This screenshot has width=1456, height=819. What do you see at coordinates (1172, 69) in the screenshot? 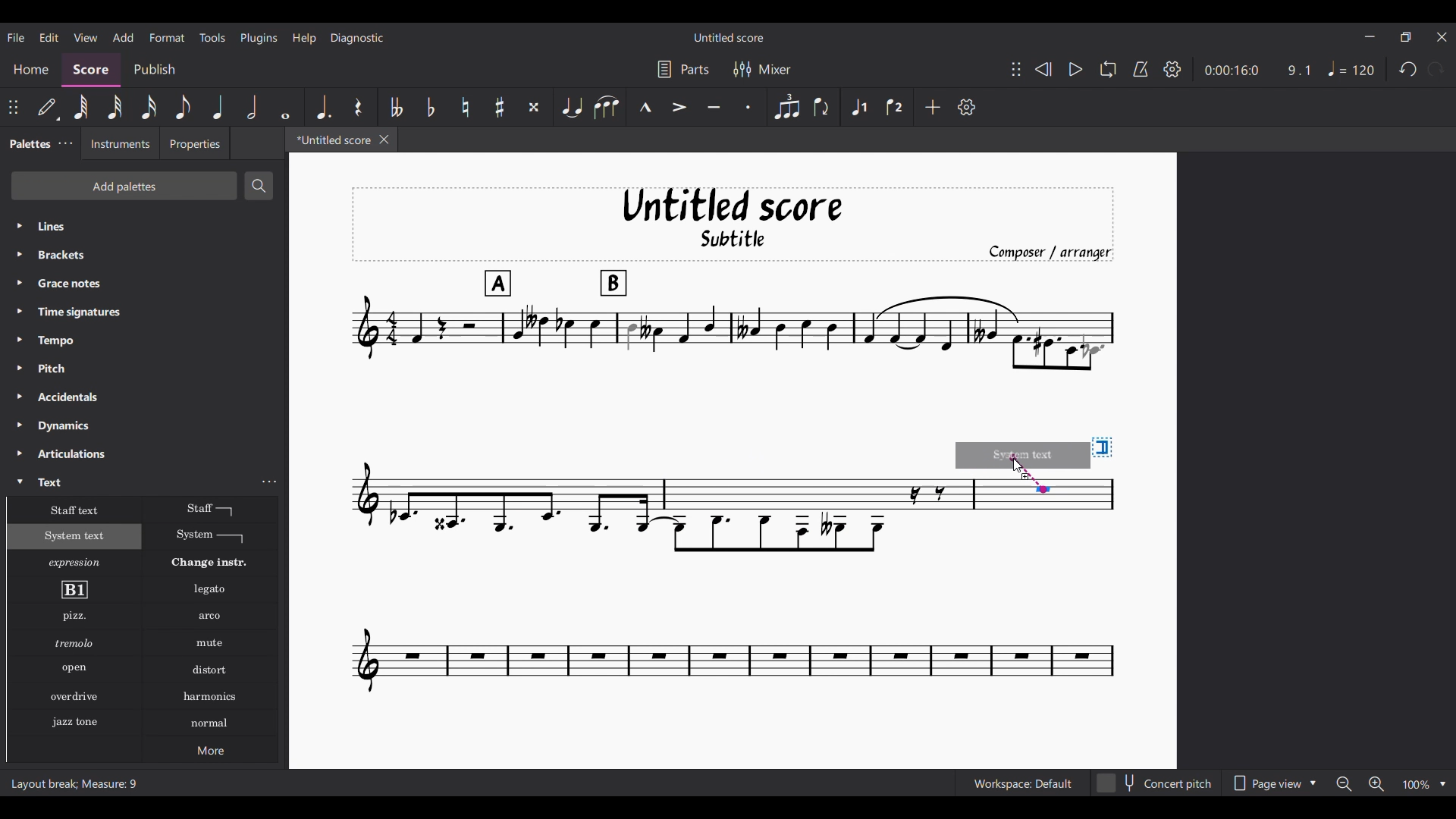
I see `Settings` at bounding box center [1172, 69].